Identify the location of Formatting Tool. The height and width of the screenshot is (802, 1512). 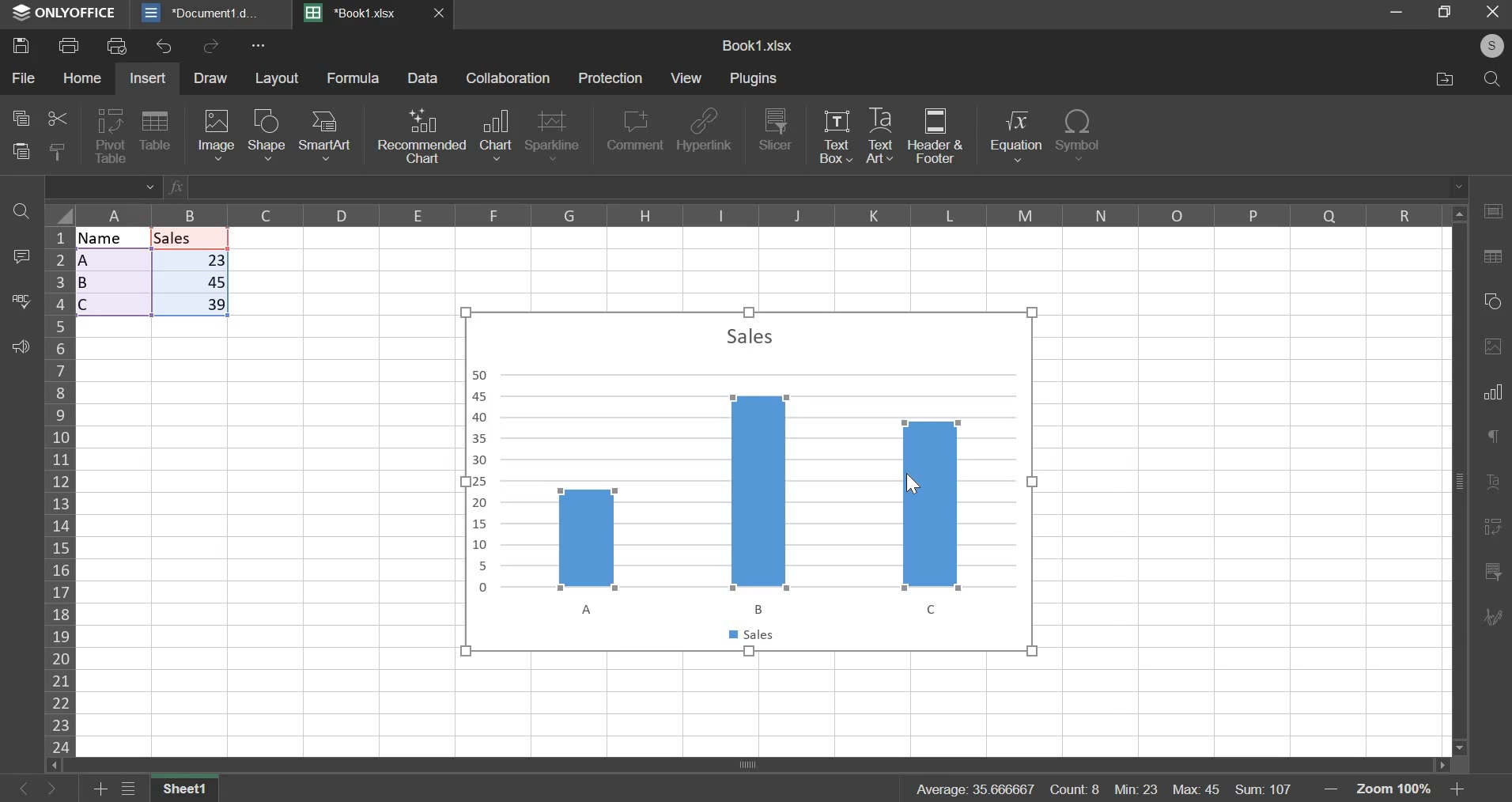
(1492, 481).